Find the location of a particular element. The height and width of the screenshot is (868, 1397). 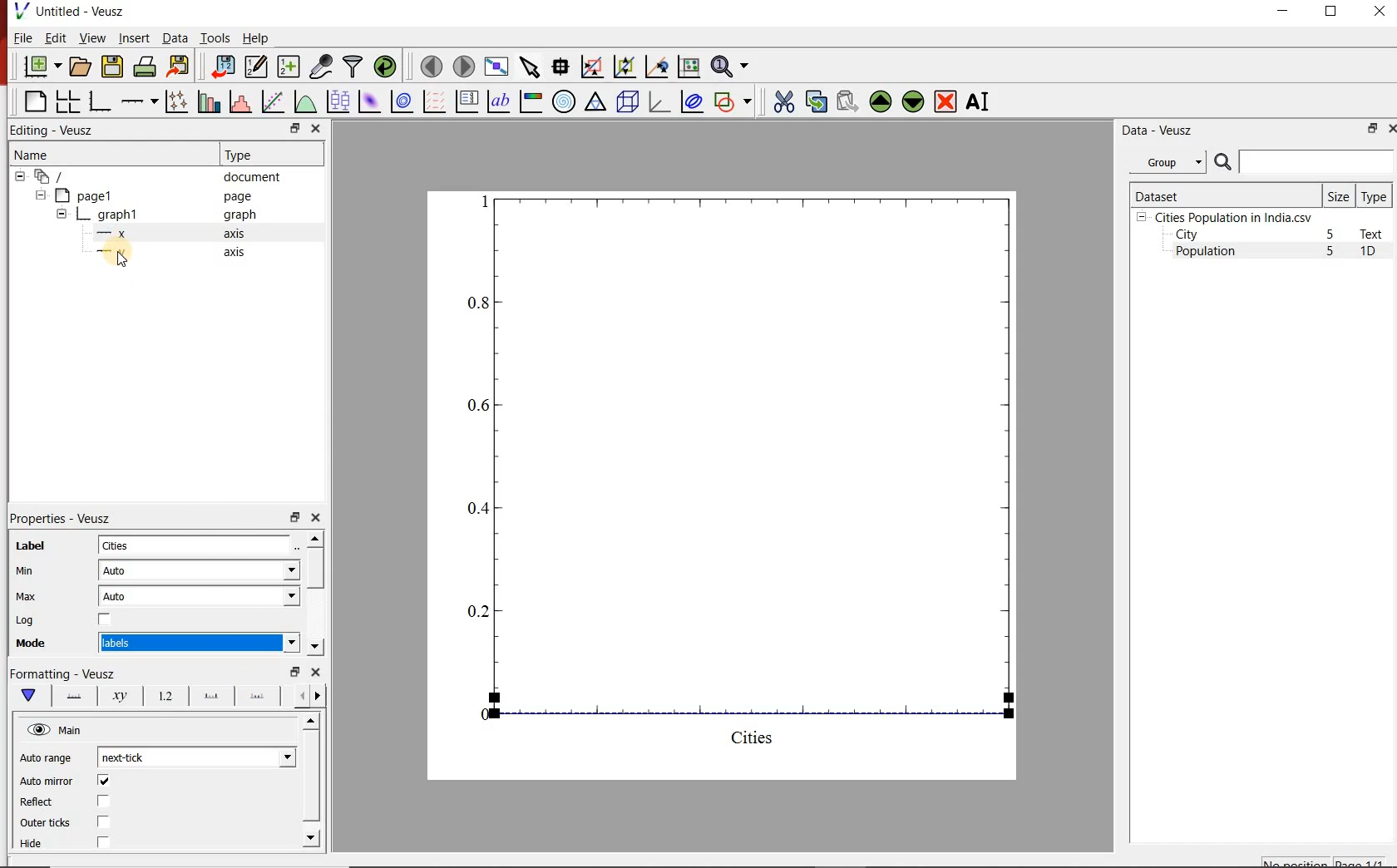

check/uncheck is located at coordinates (103, 781).